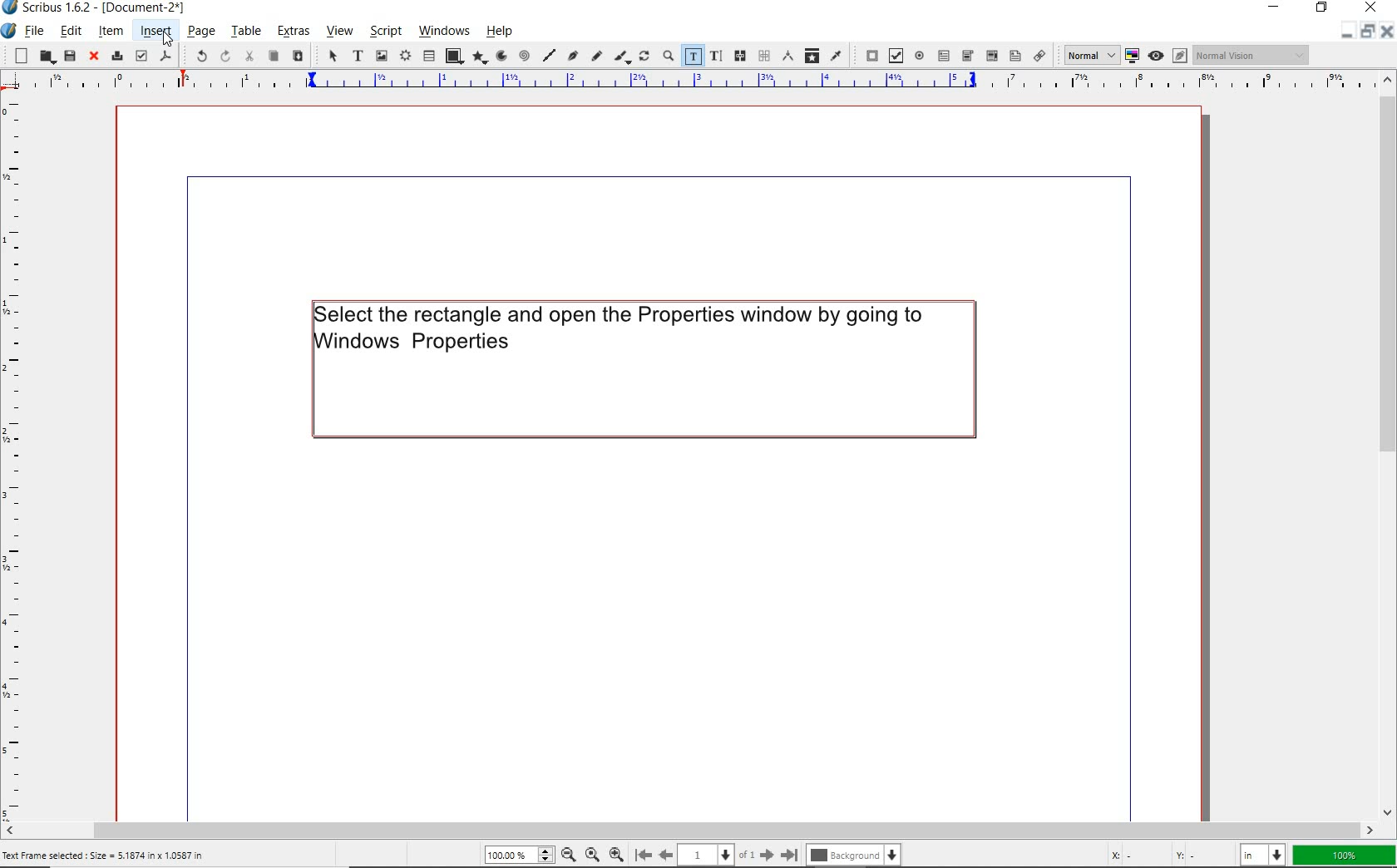 The image size is (1397, 868). Describe the element at coordinates (454, 55) in the screenshot. I see `shape` at that location.